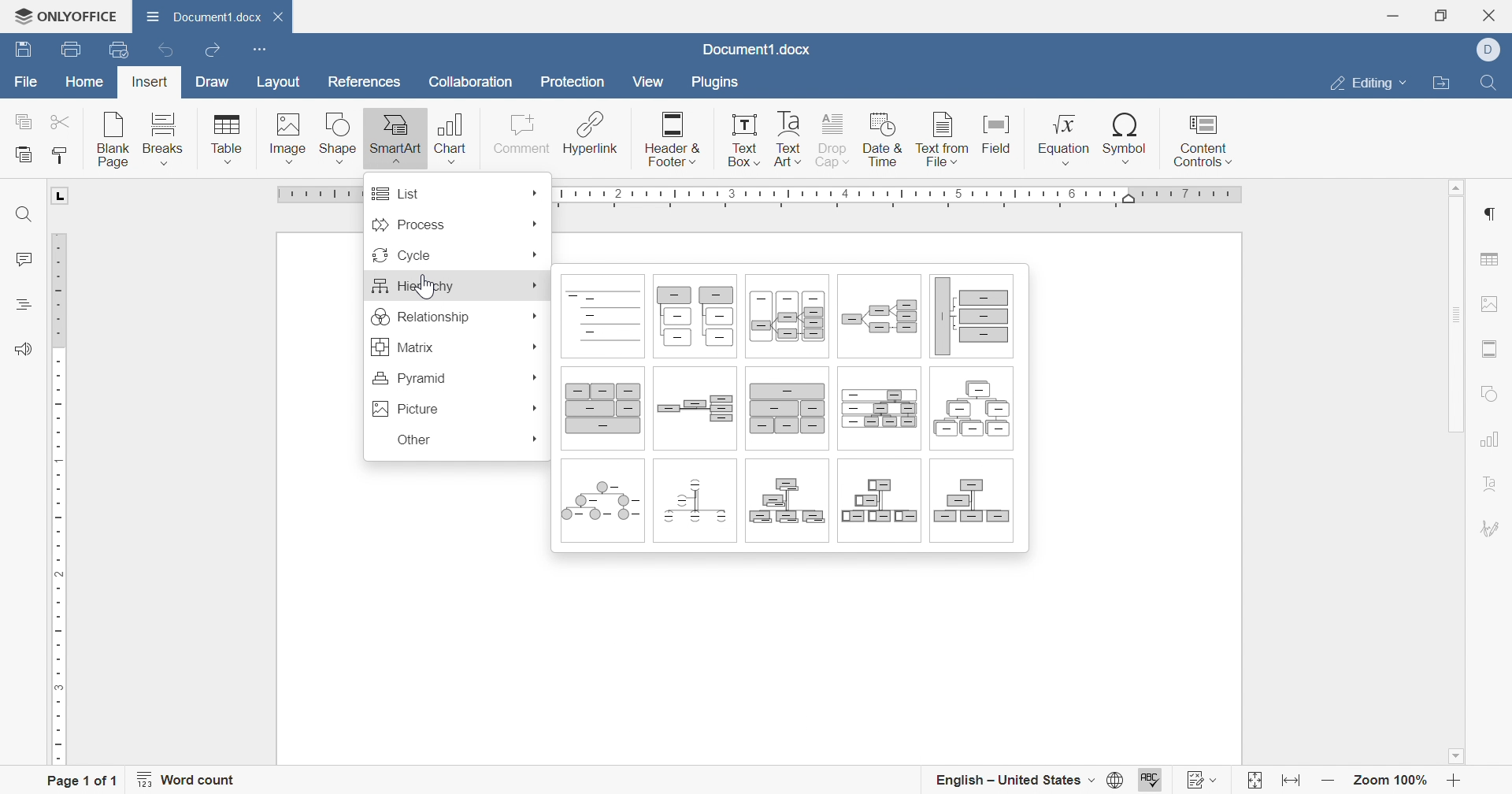 The height and width of the screenshot is (794, 1512). What do you see at coordinates (1288, 781) in the screenshot?
I see `Fit to width` at bounding box center [1288, 781].